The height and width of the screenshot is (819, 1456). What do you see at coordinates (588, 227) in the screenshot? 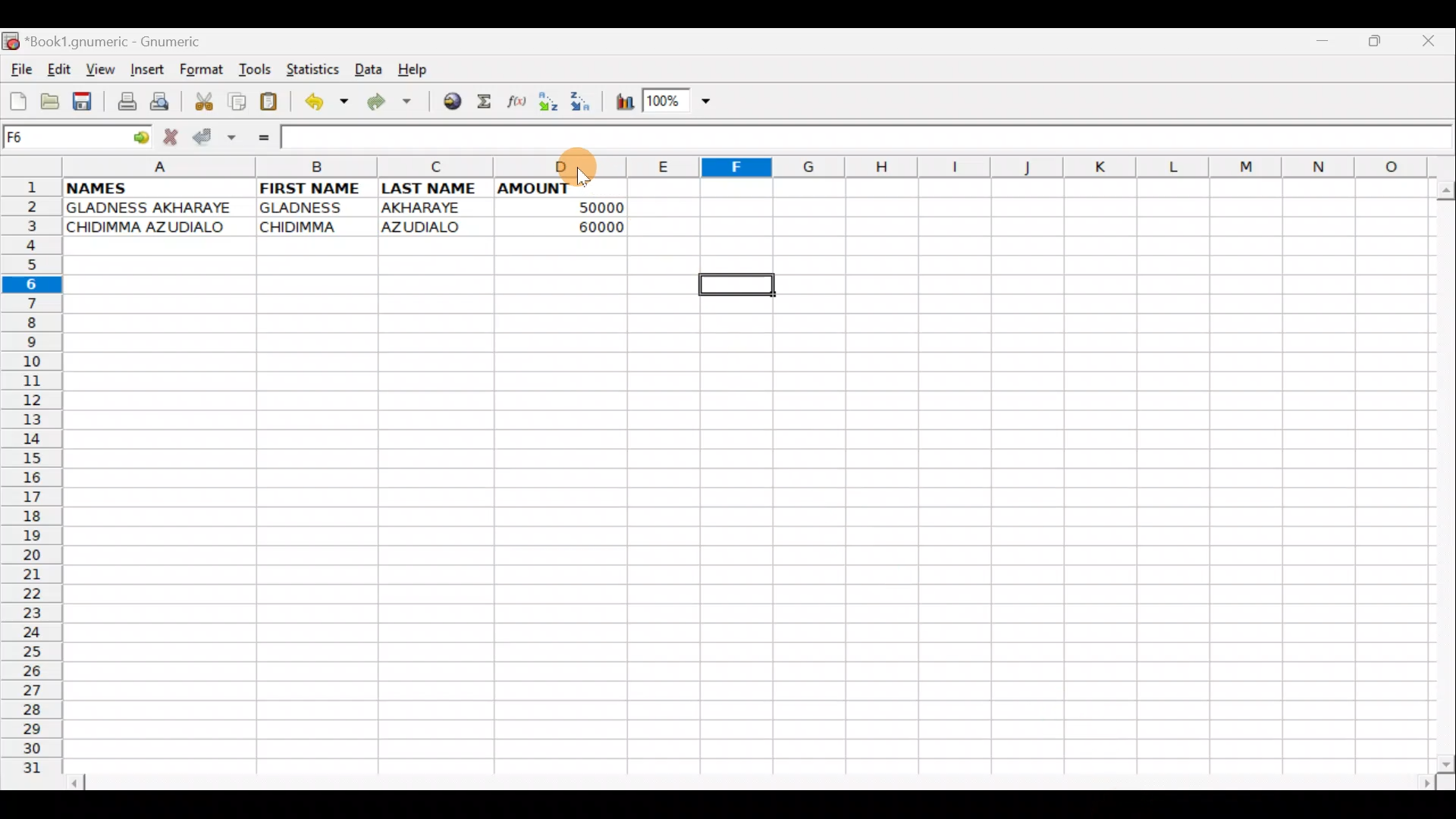
I see `60000` at bounding box center [588, 227].